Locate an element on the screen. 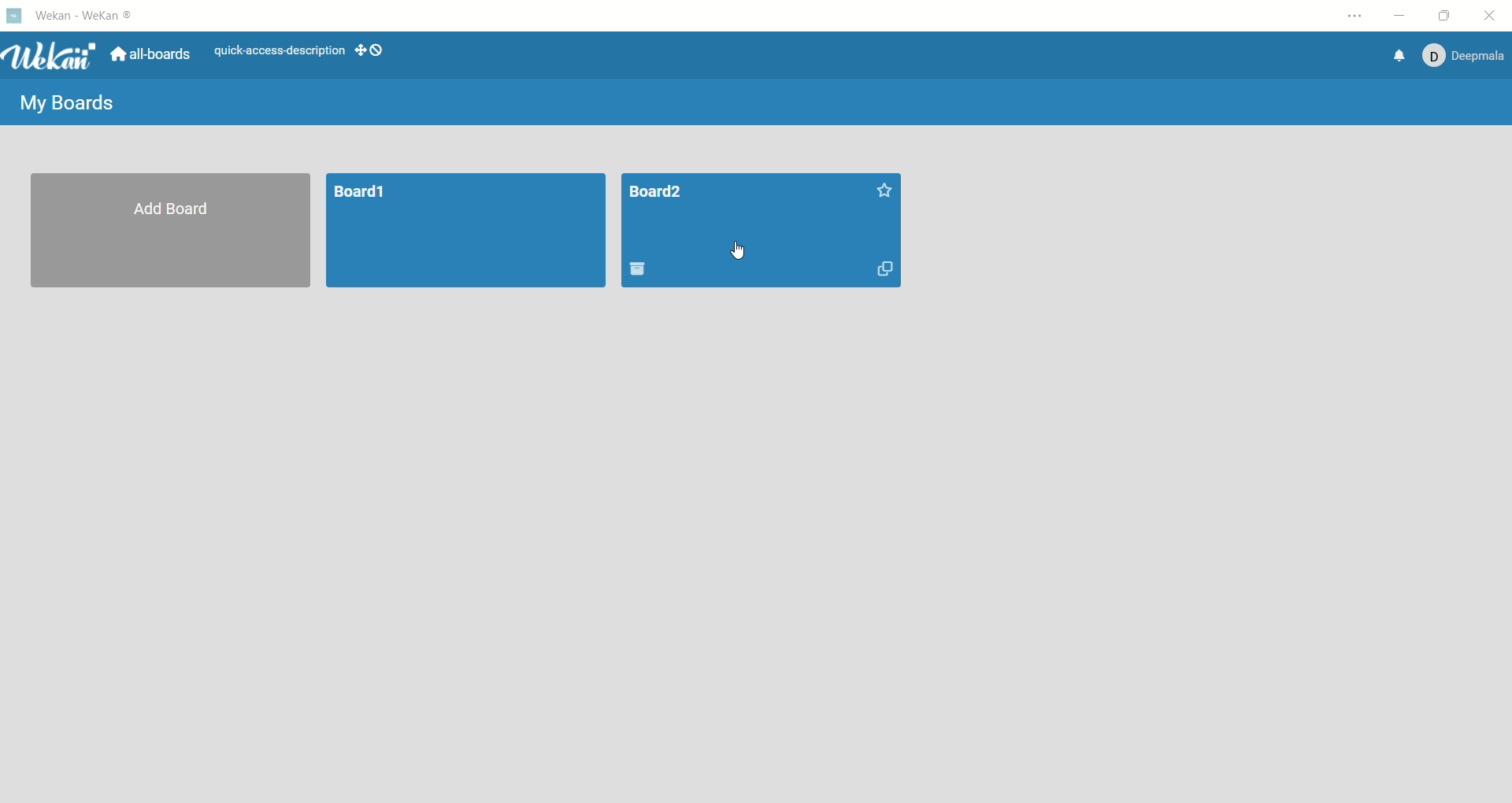 This screenshot has width=1512, height=803. board1 is located at coordinates (465, 228).